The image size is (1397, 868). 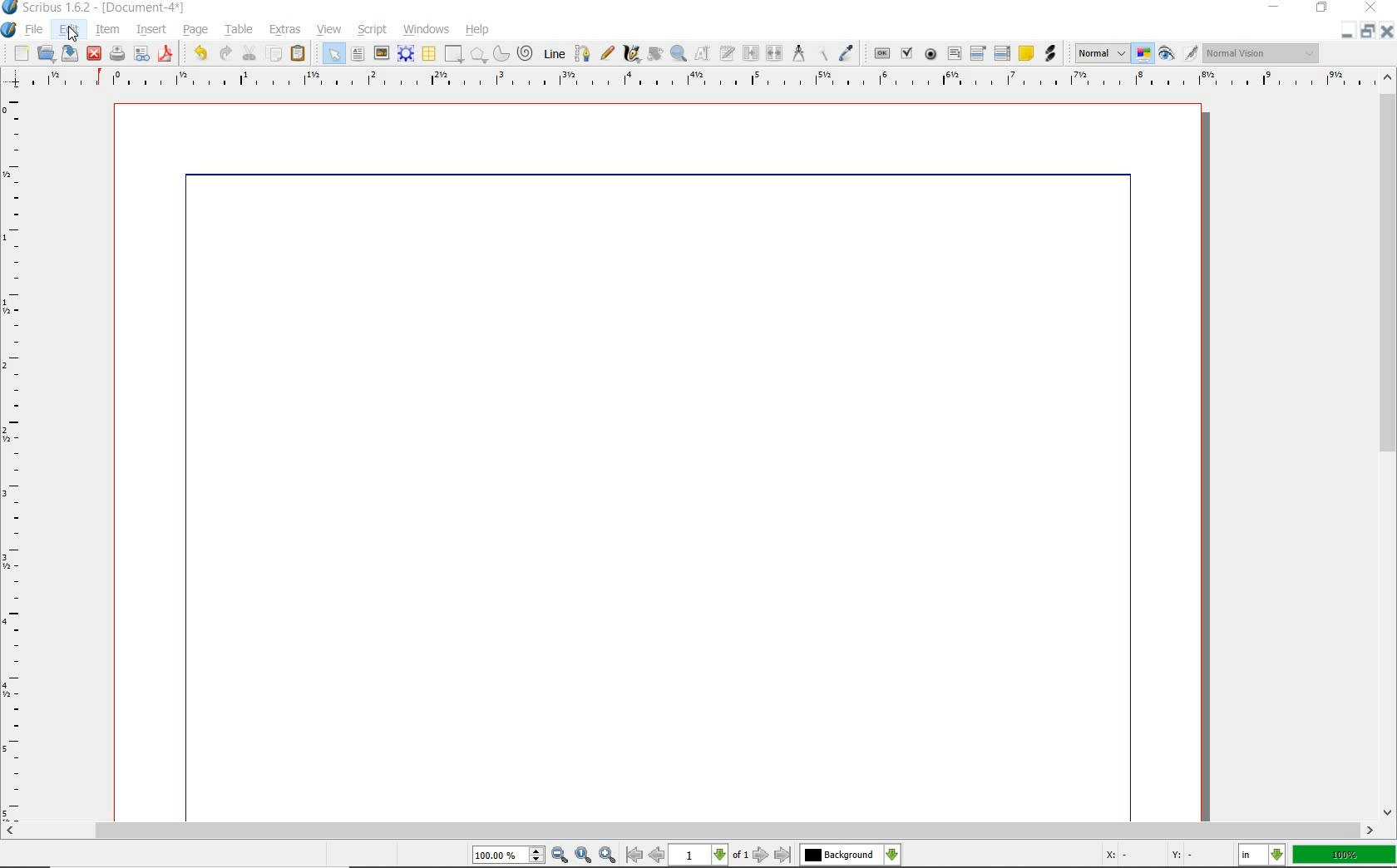 I want to click on copy, so click(x=274, y=52).